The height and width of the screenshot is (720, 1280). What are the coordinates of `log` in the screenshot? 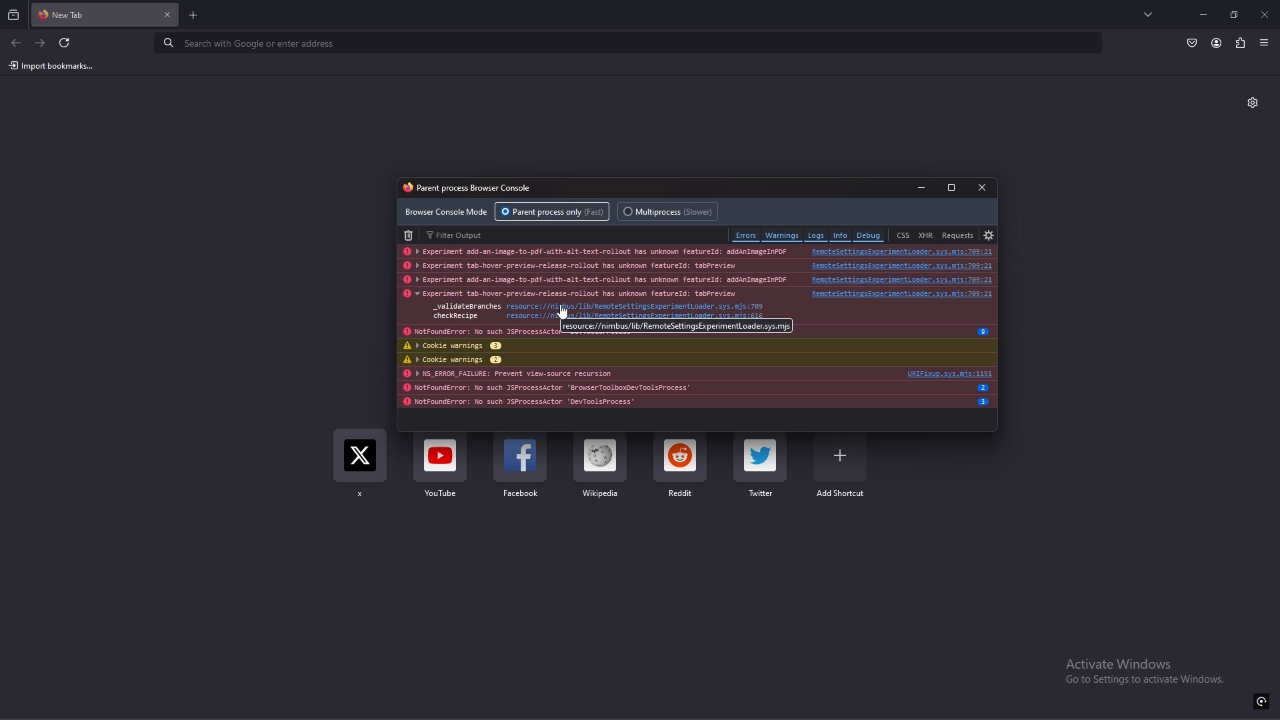 It's located at (587, 373).